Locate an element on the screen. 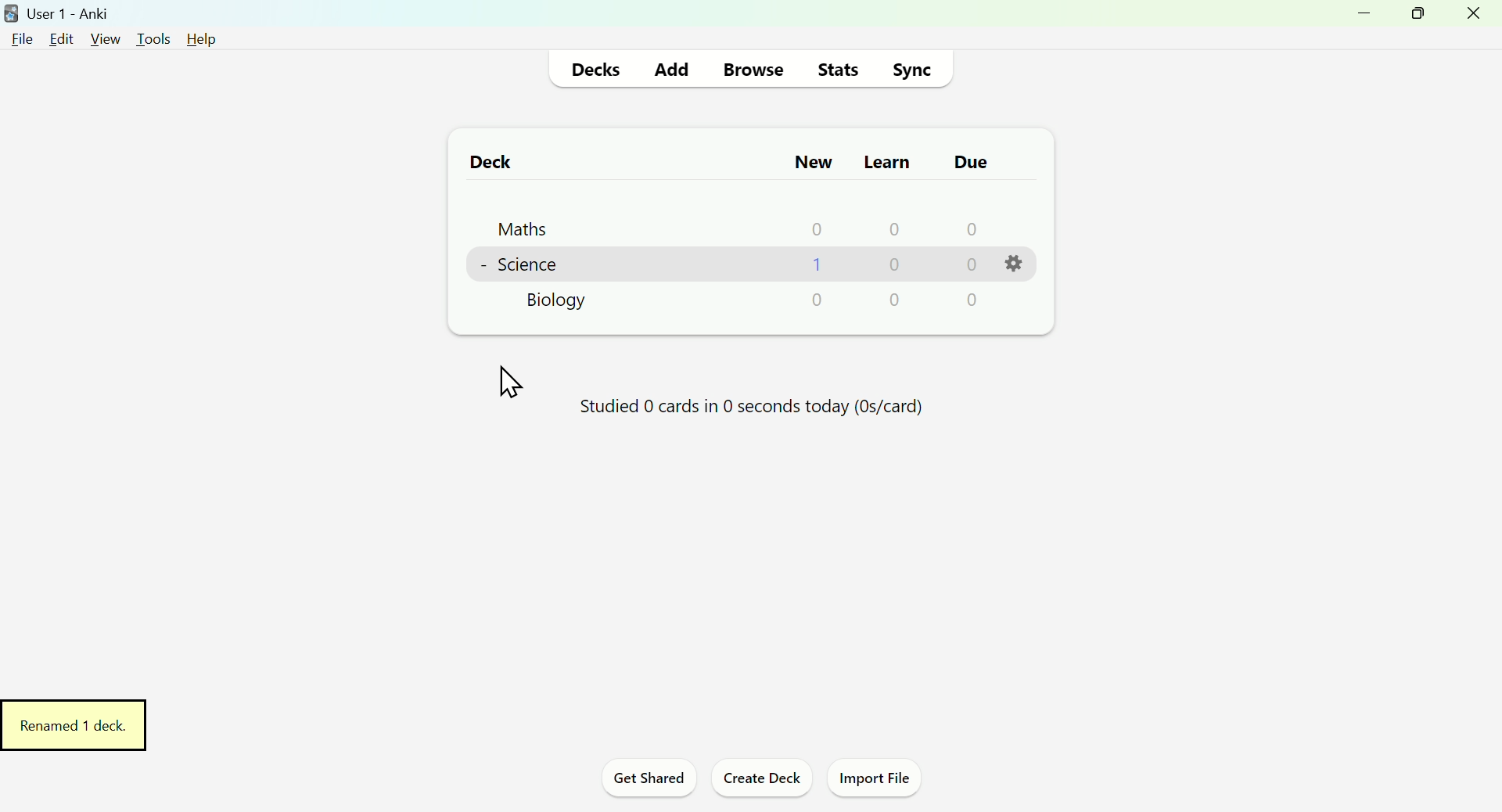 The height and width of the screenshot is (812, 1502). Sync is located at coordinates (916, 67).